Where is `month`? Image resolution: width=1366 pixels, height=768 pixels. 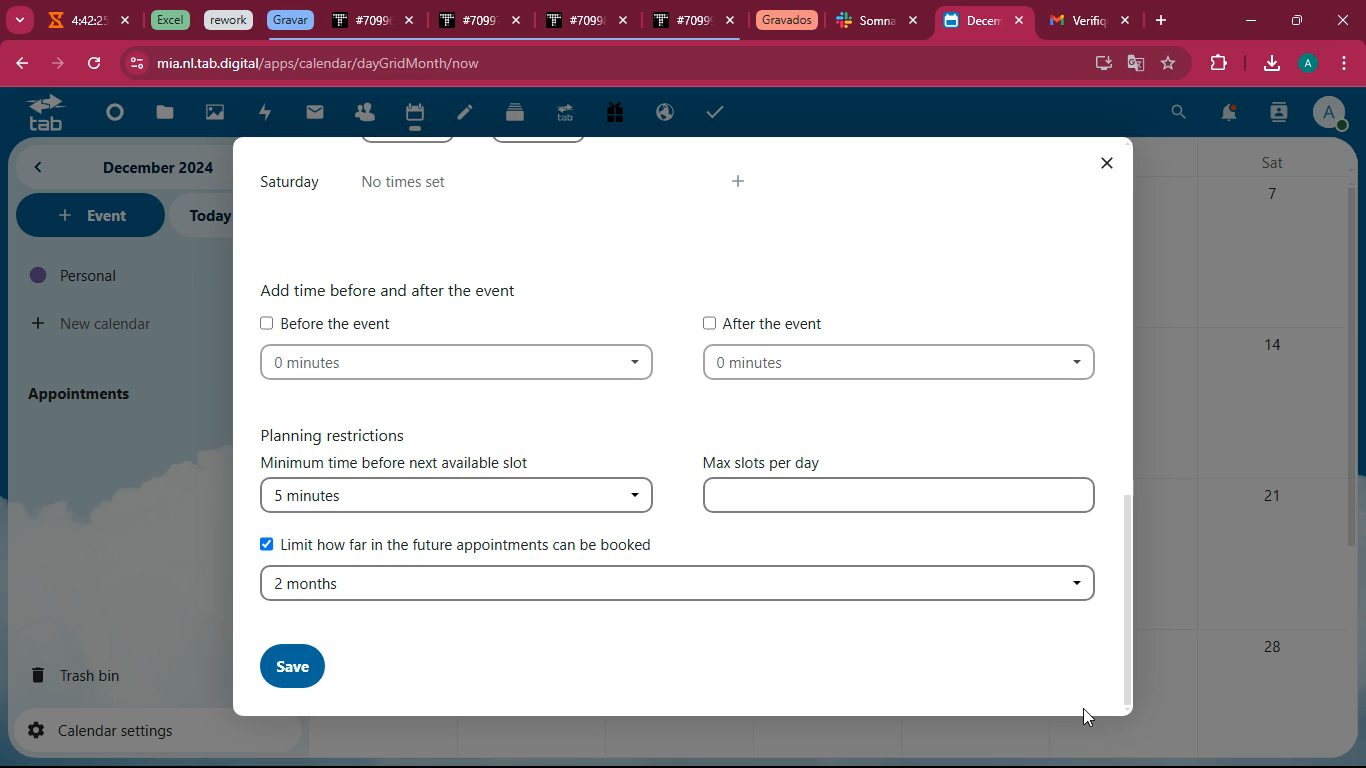 month is located at coordinates (120, 167).